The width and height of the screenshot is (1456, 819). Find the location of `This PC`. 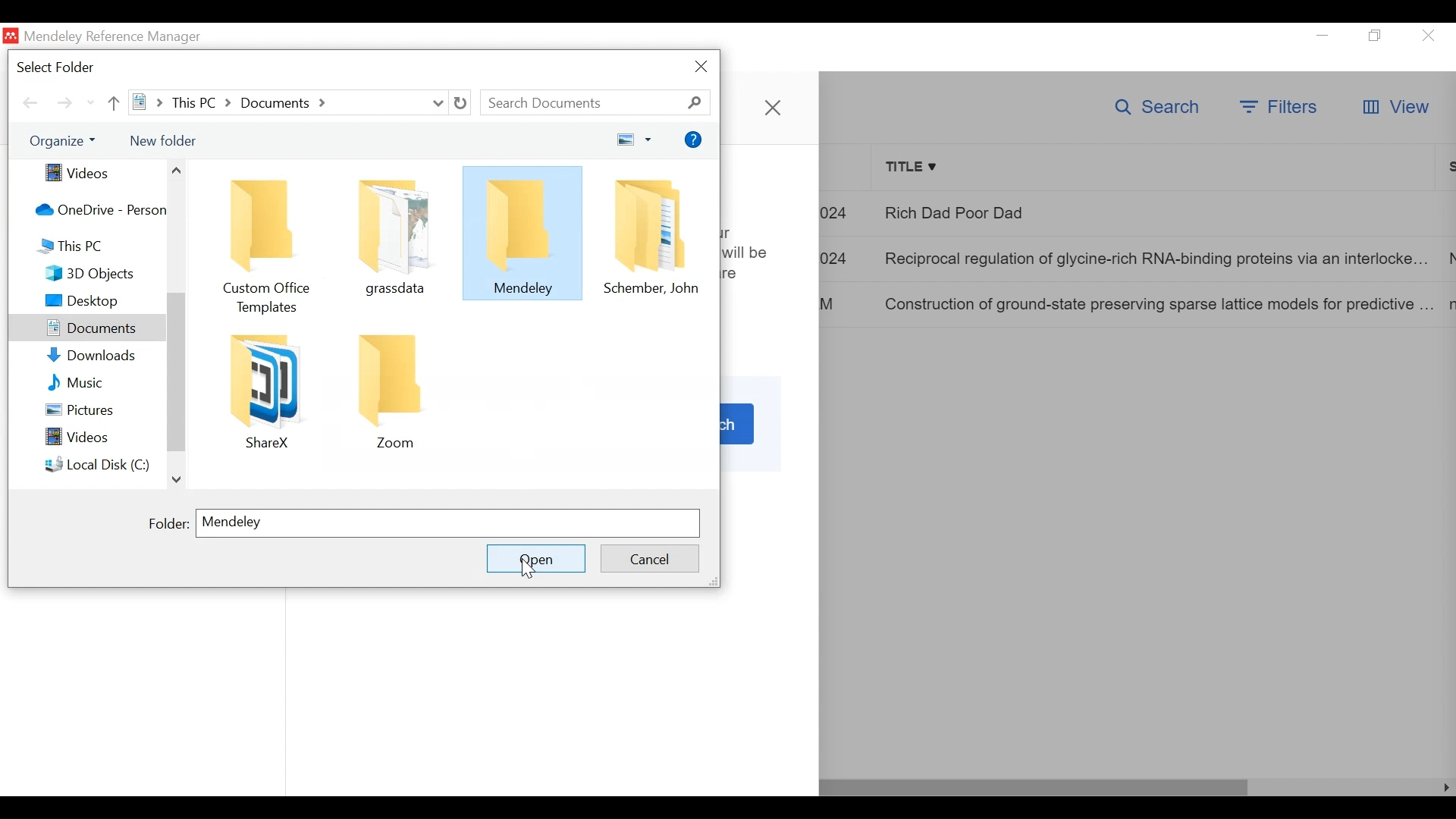

This PC is located at coordinates (97, 245).